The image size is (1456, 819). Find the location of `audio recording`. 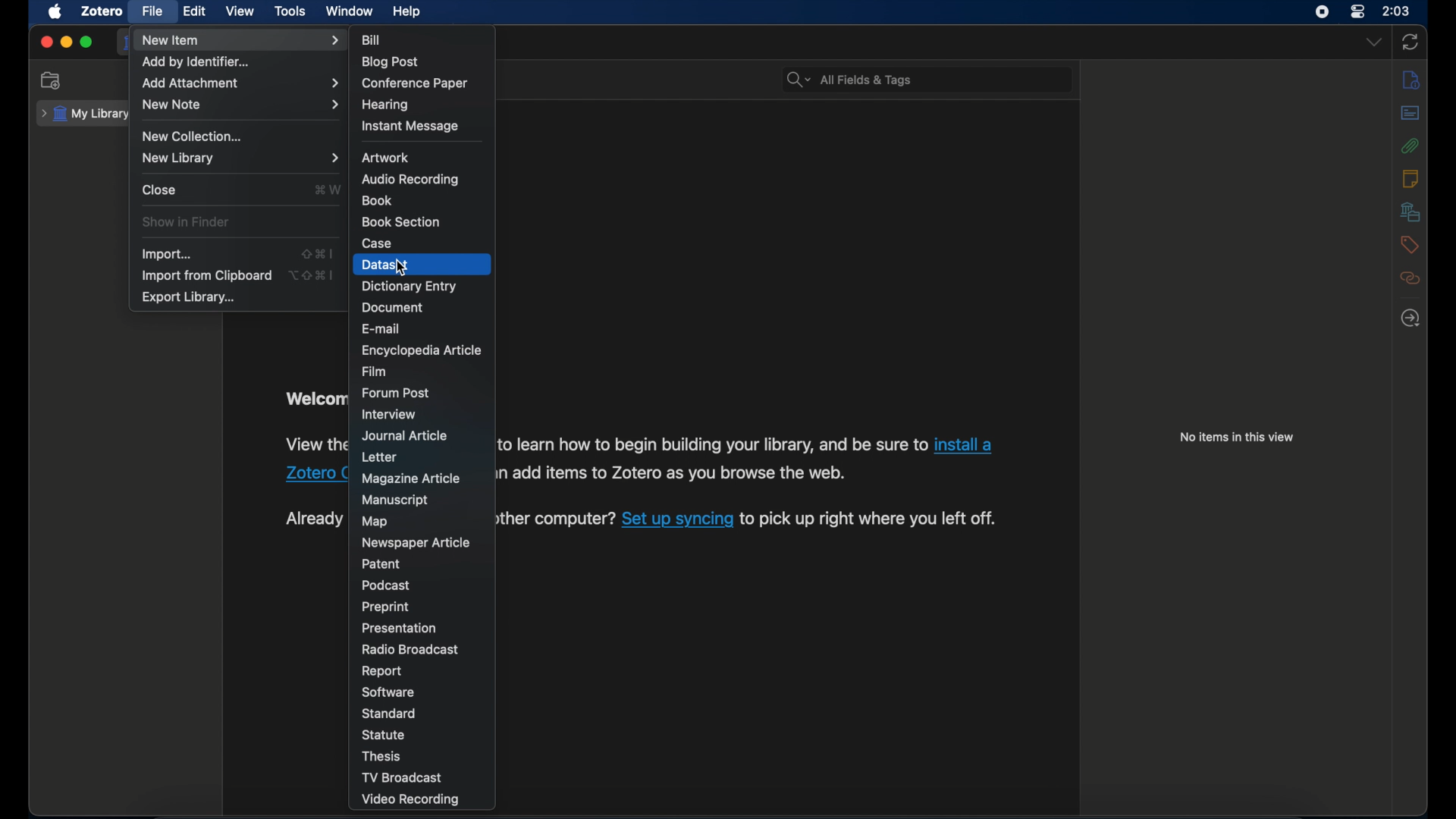

audio recording is located at coordinates (409, 180).